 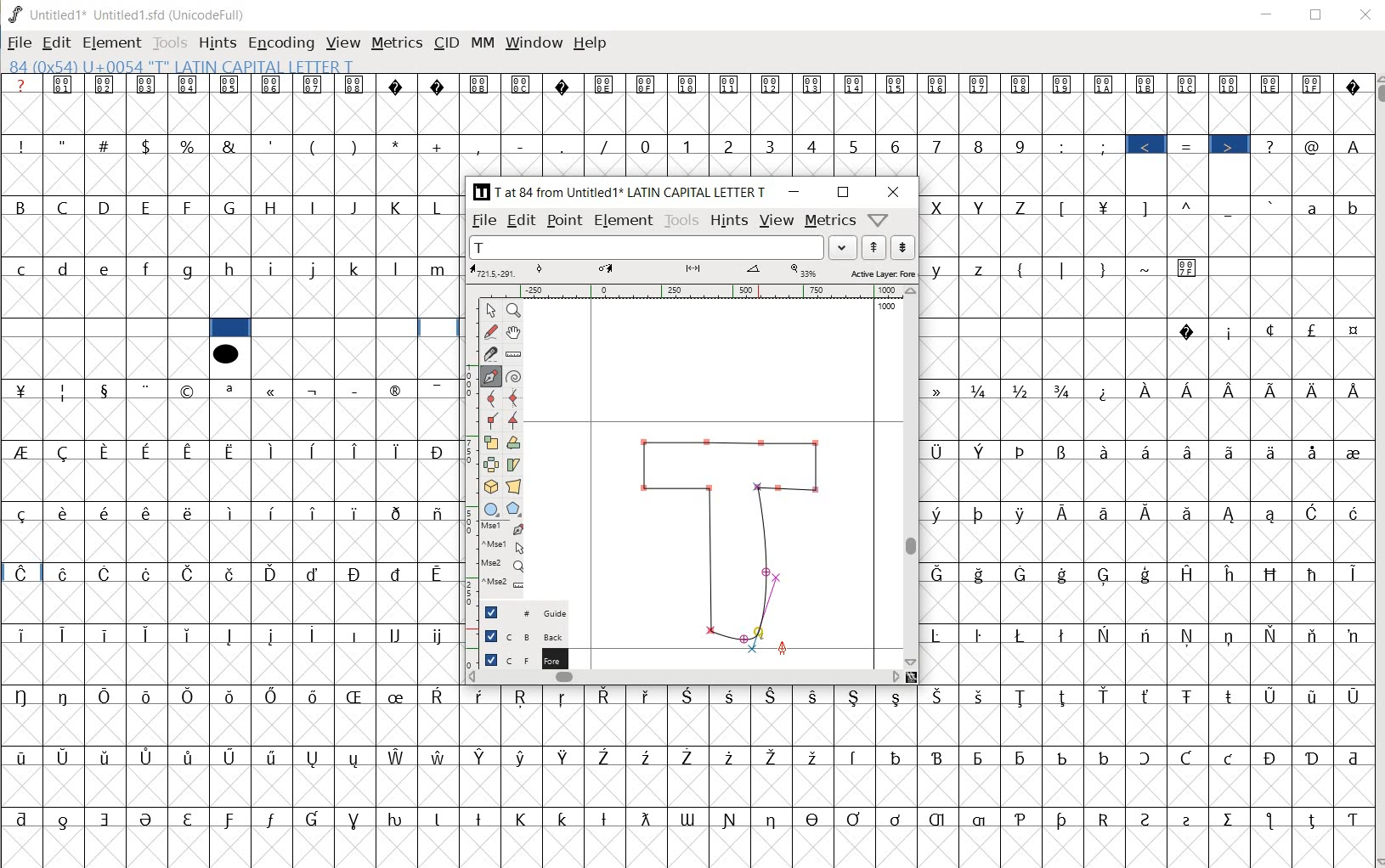 I want to click on Symbol, so click(x=1234, y=574).